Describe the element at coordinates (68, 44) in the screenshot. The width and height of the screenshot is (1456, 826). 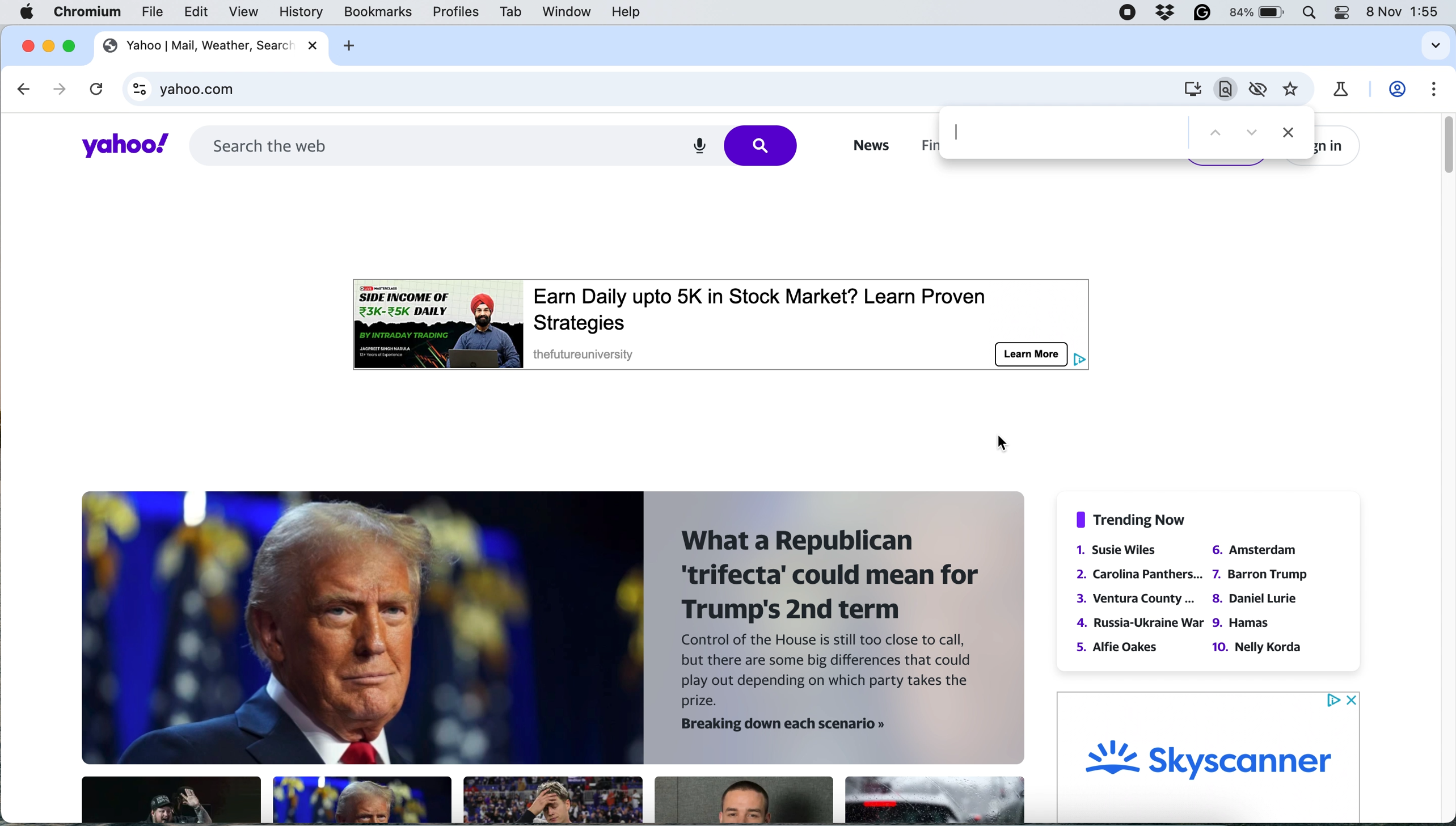
I see `maximise` at that location.